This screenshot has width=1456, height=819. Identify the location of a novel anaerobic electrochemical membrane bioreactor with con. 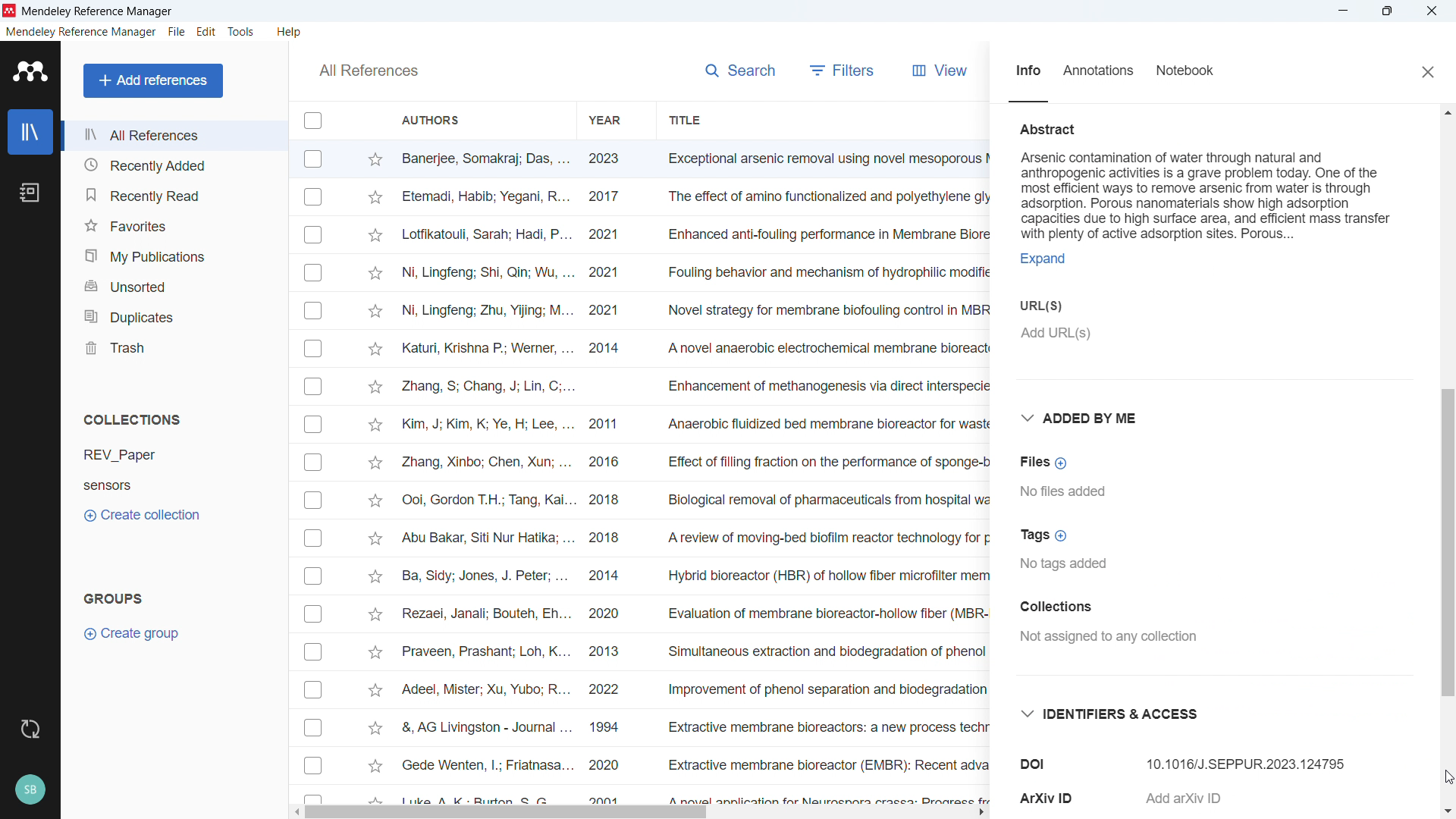
(827, 348).